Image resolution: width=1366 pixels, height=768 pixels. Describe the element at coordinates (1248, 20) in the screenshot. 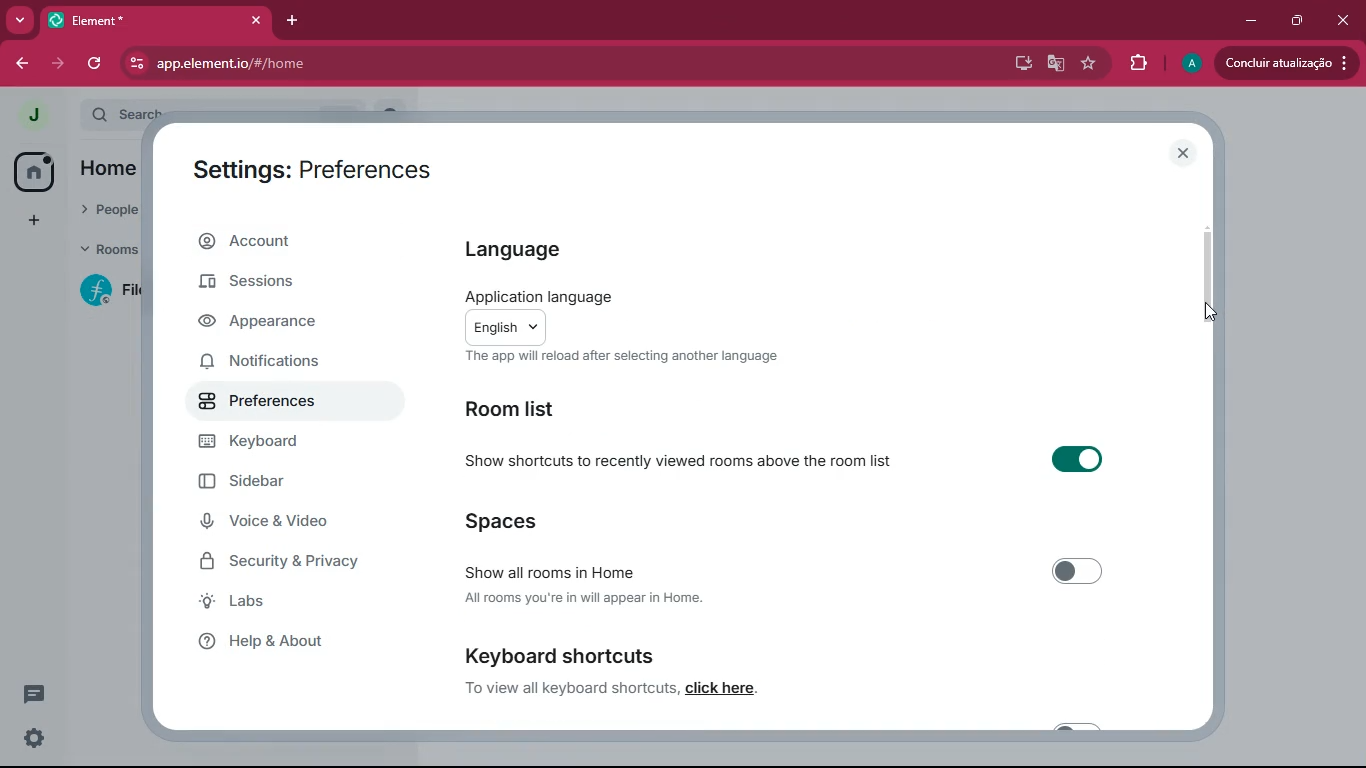

I see `minimize` at that location.